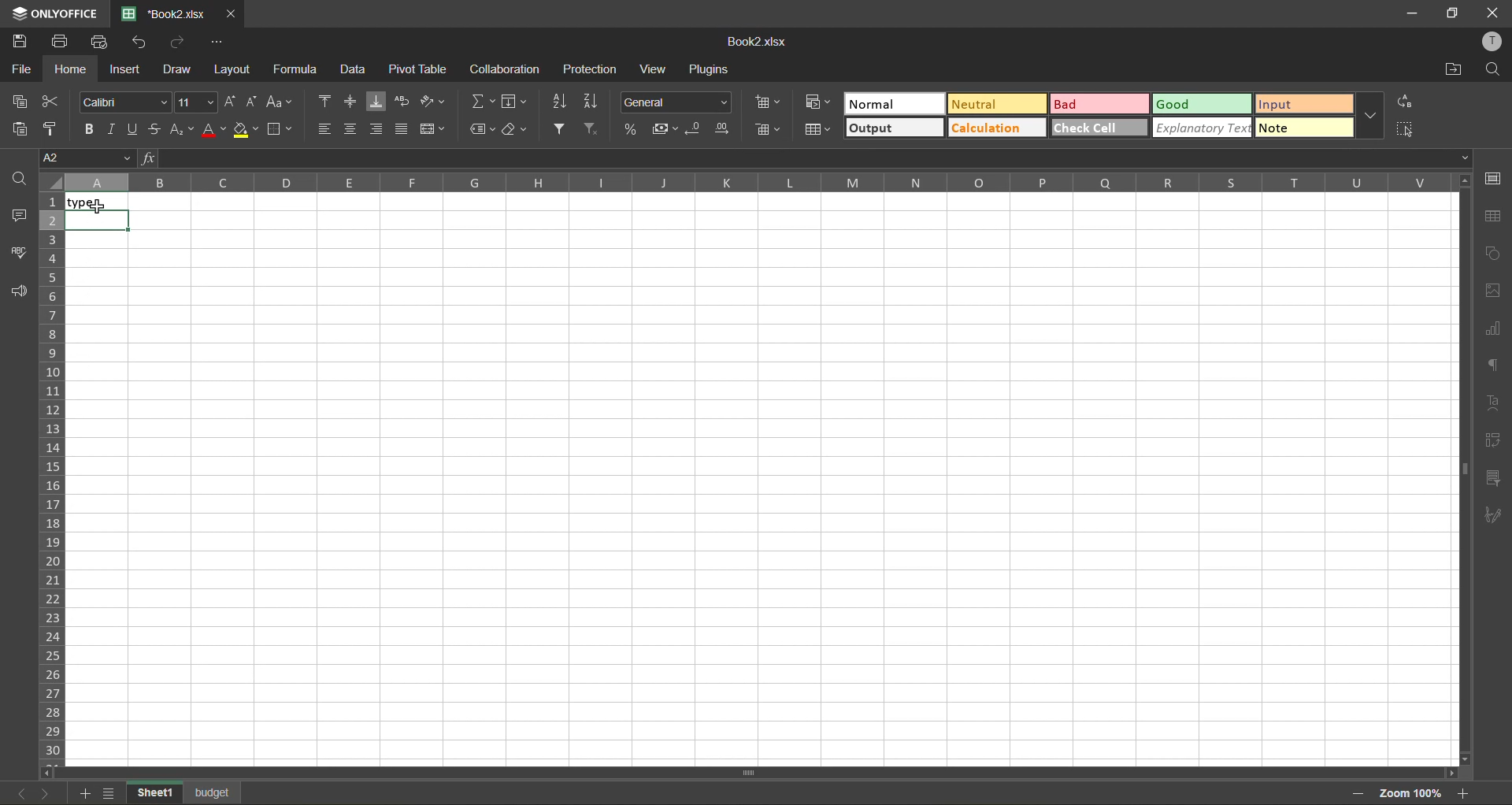 This screenshot has height=805, width=1512. I want to click on sheet list, so click(109, 794).